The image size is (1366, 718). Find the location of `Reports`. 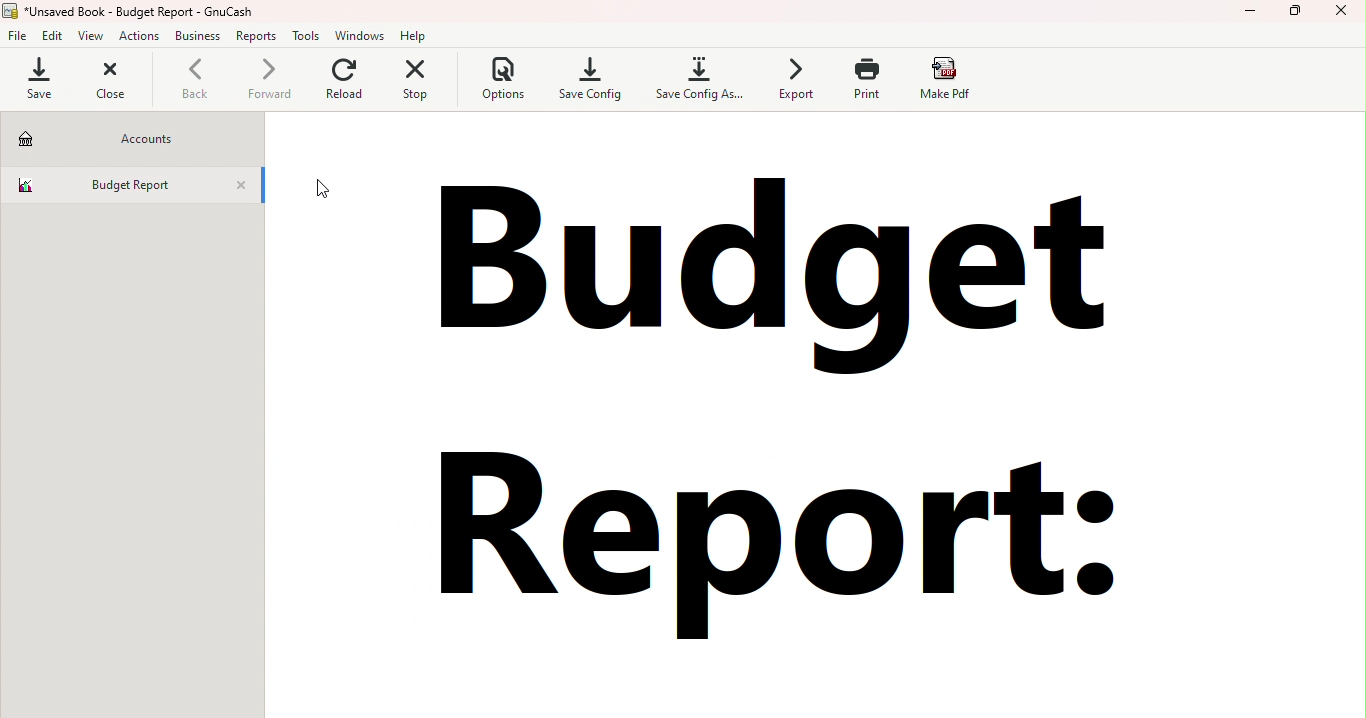

Reports is located at coordinates (258, 36).